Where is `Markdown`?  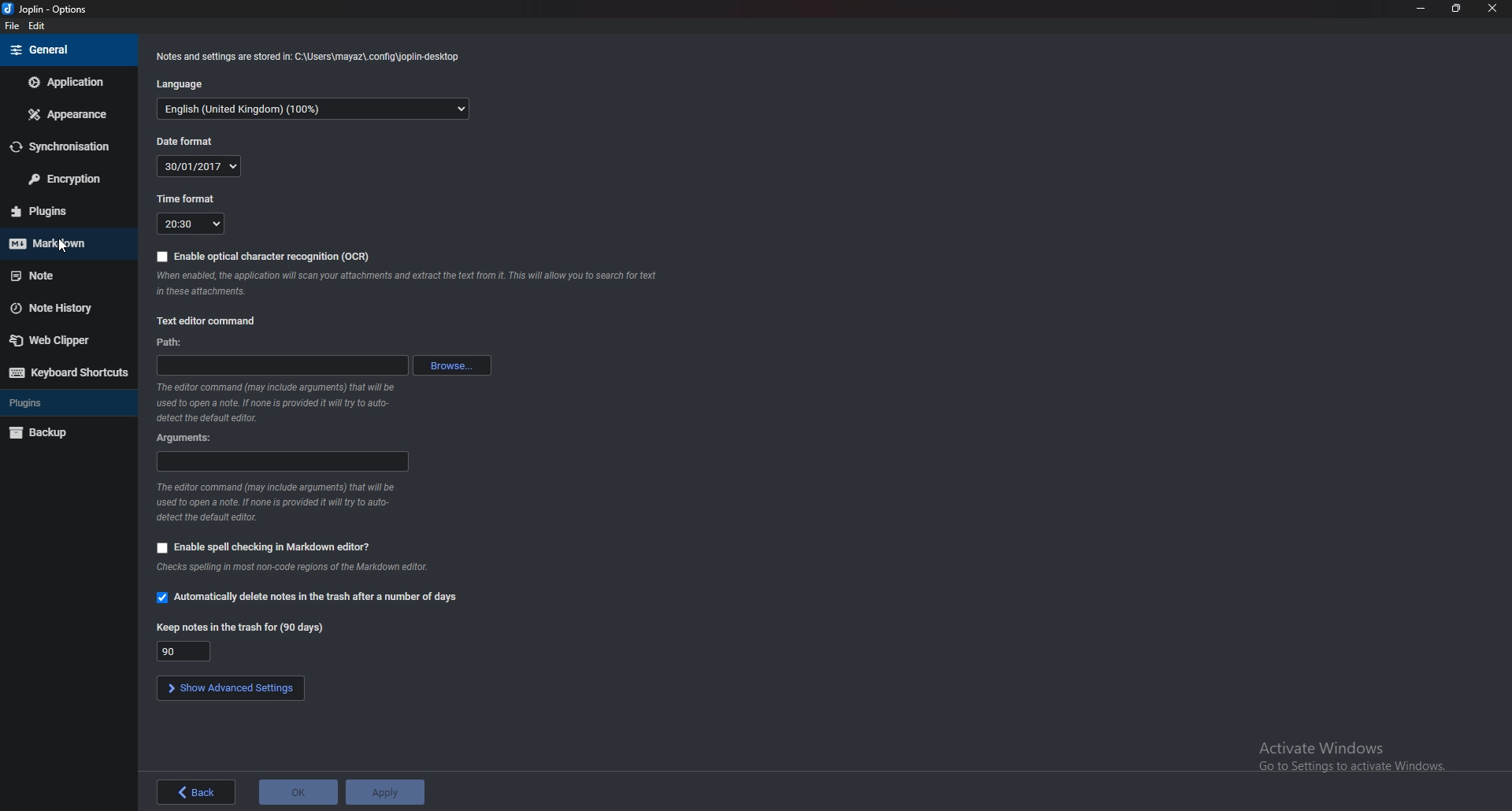 Markdown is located at coordinates (66, 243).